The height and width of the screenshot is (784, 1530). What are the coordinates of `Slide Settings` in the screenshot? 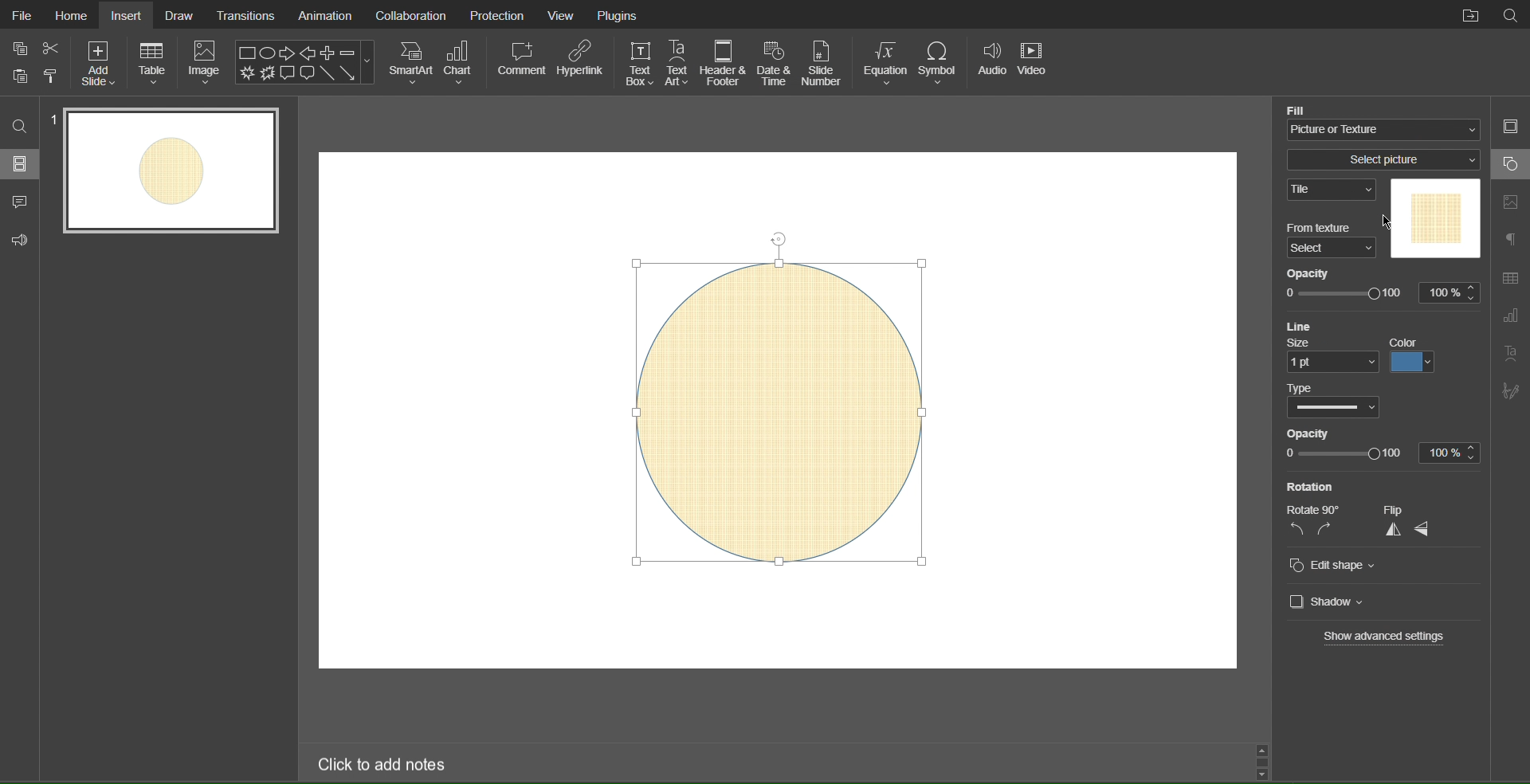 It's located at (1509, 129).